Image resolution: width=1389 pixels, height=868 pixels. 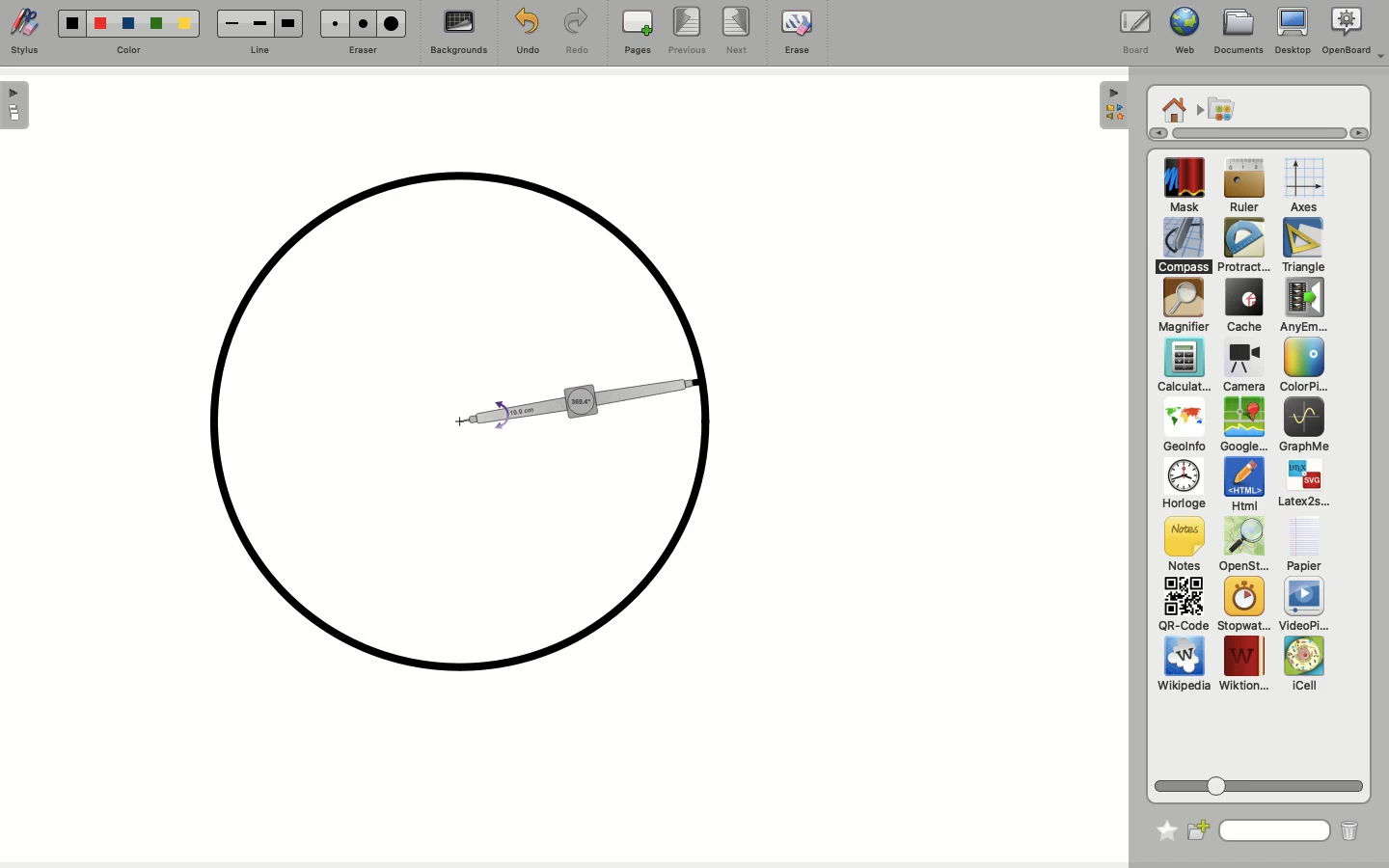 I want to click on Magnifier, so click(x=1183, y=306).